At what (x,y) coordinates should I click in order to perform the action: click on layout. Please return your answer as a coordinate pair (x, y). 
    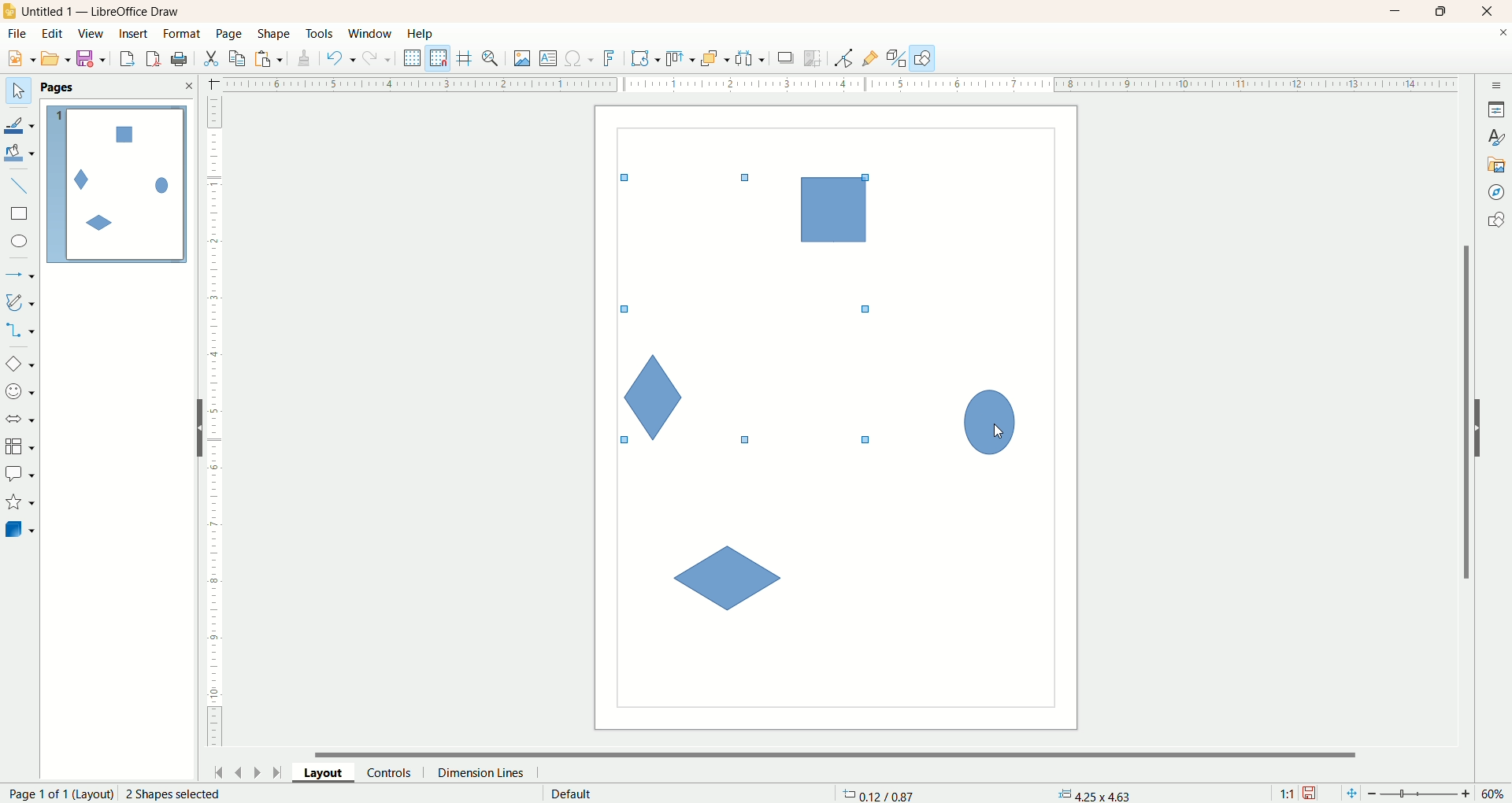
    Looking at the image, I should click on (330, 772).